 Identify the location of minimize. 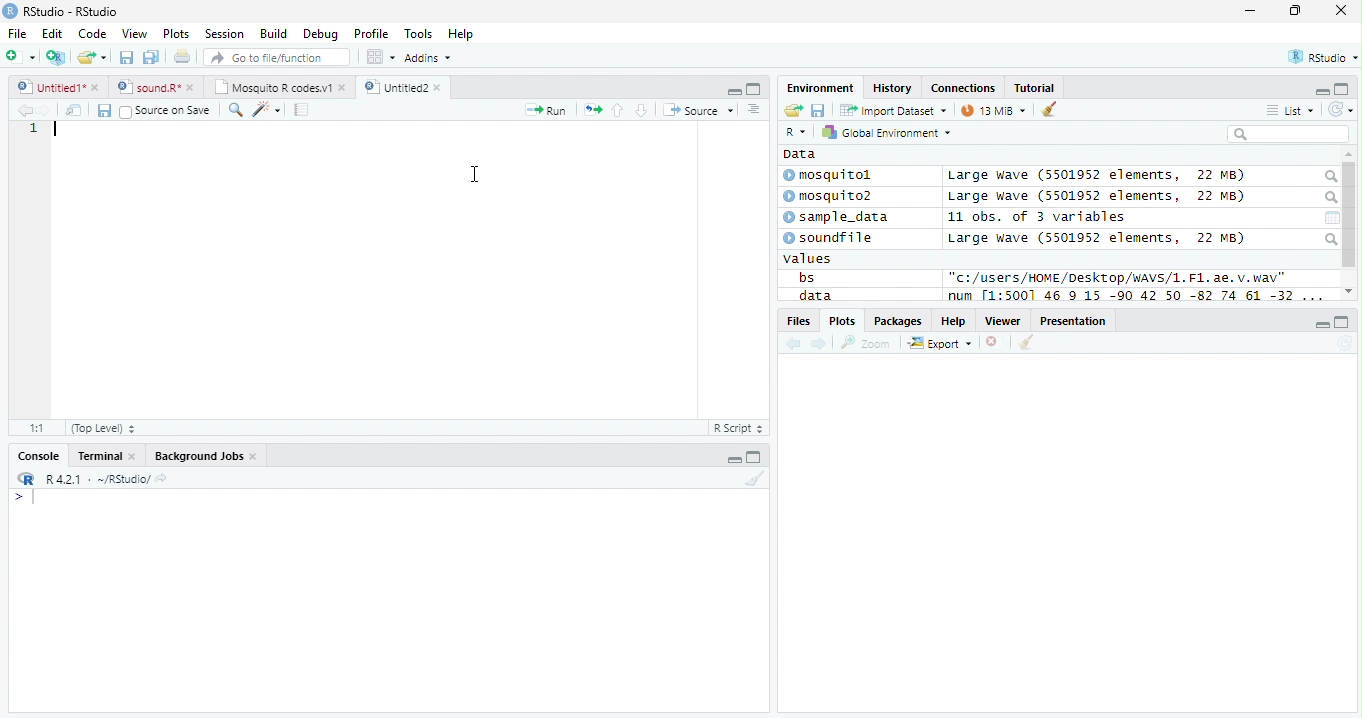
(1322, 323).